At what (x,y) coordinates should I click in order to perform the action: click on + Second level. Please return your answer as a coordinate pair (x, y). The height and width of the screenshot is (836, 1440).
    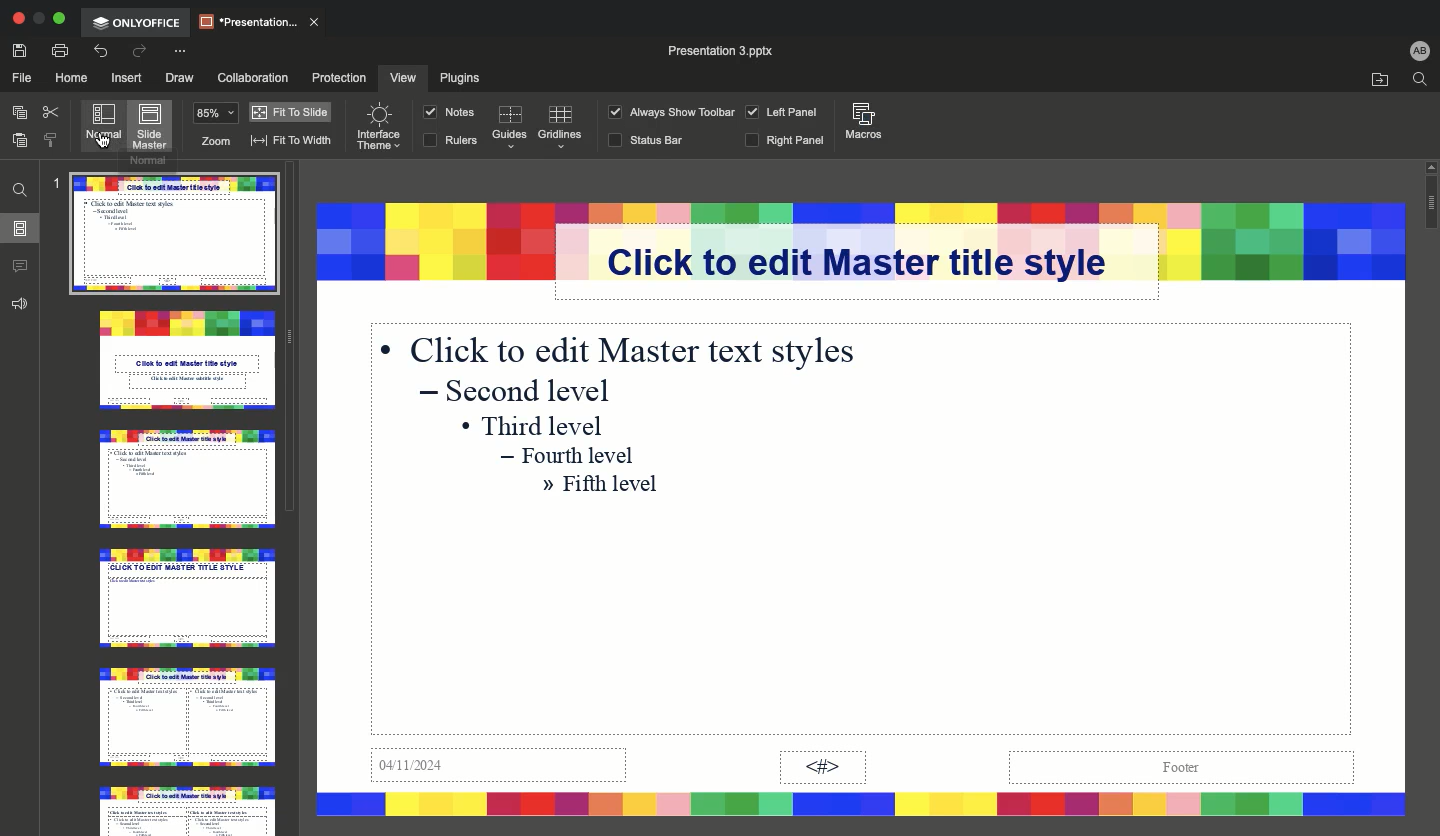
    Looking at the image, I should click on (522, 391).